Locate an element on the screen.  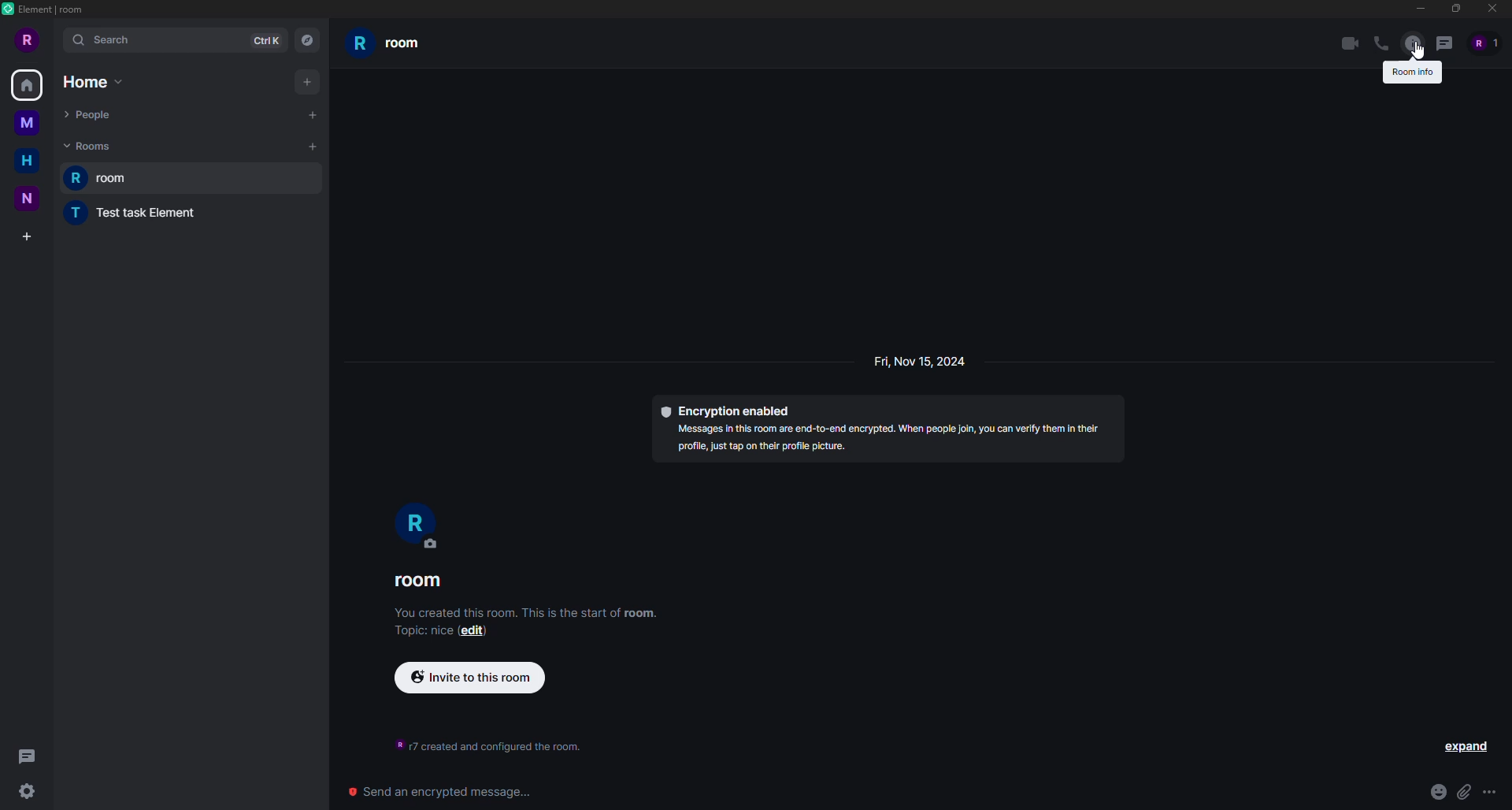
navigation is located at coordinates (306, 38).